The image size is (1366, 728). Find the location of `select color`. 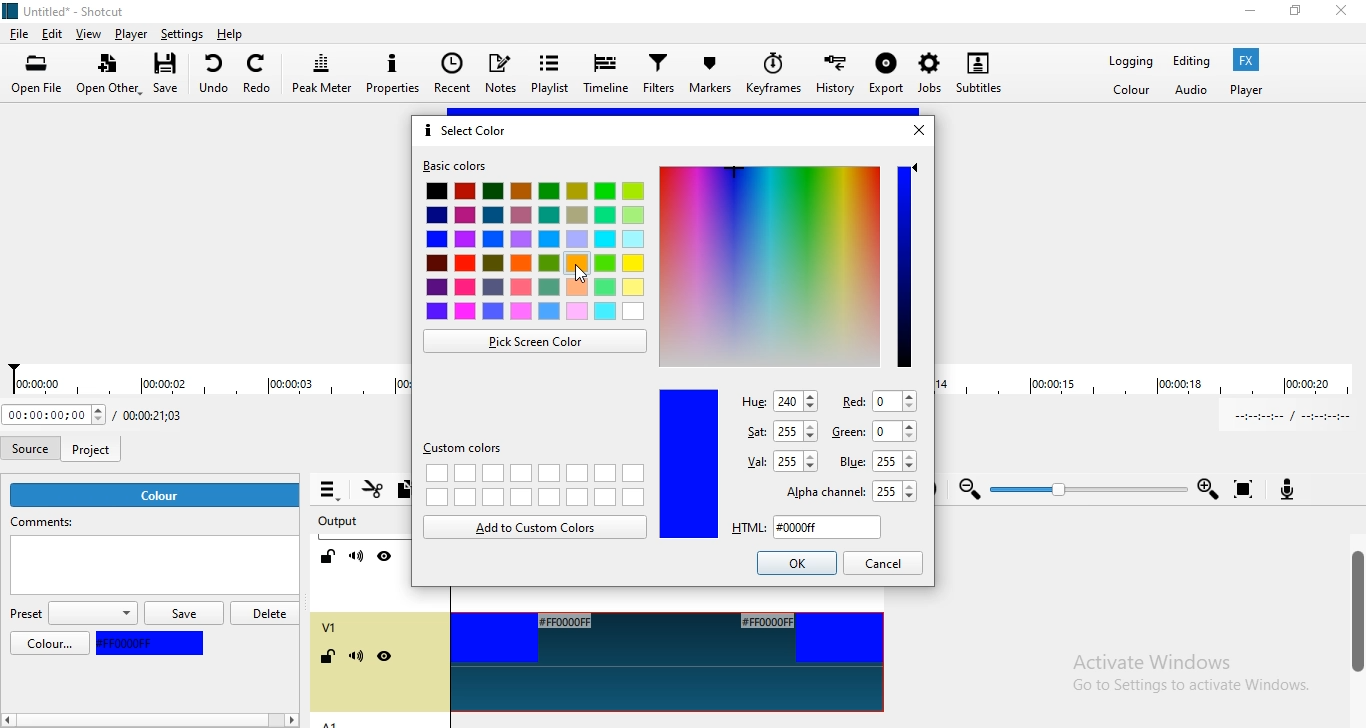

select color is located at coordinates (466, 130).